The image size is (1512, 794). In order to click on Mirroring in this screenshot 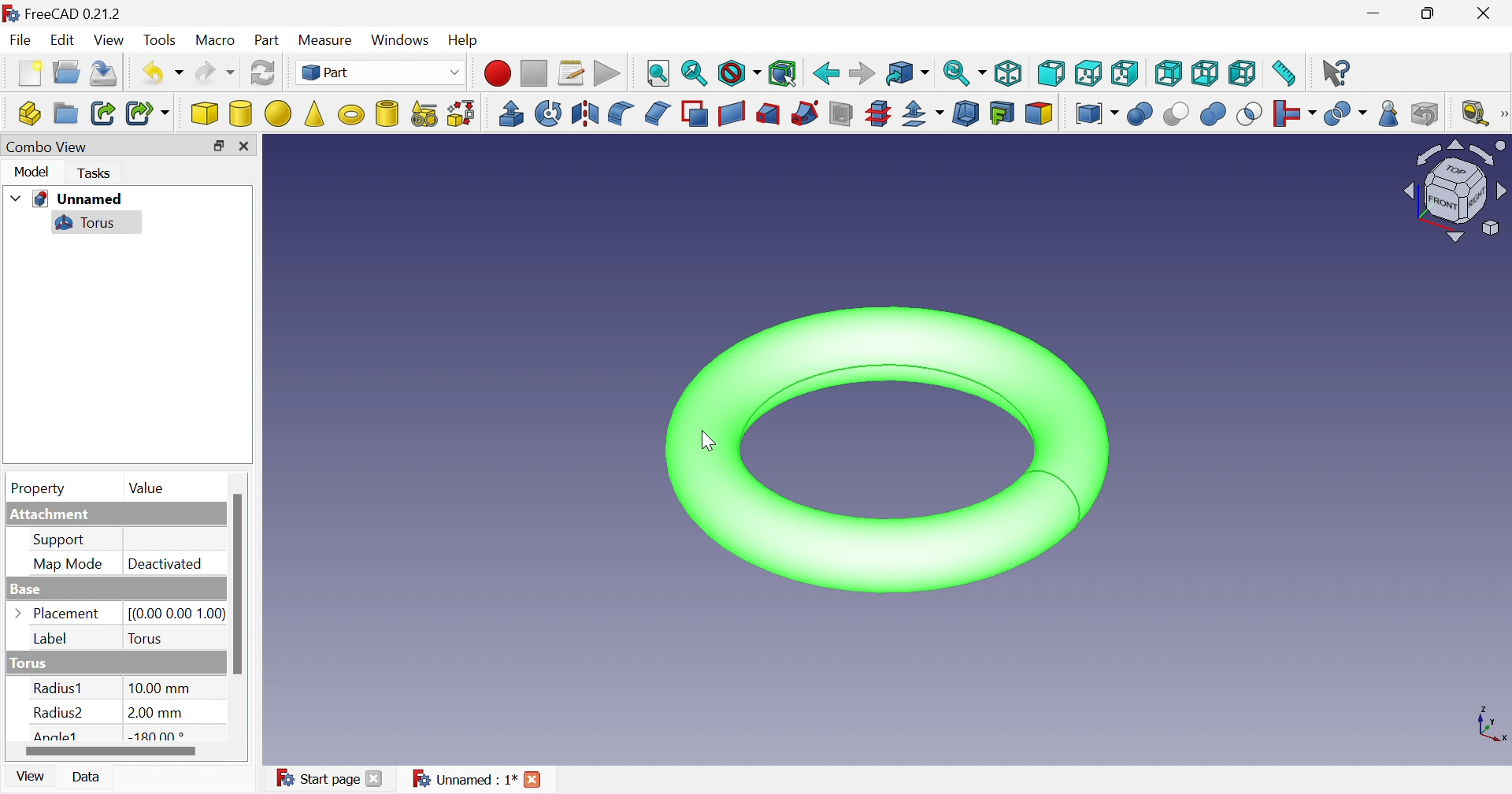, I will do `click(584, 113)`.